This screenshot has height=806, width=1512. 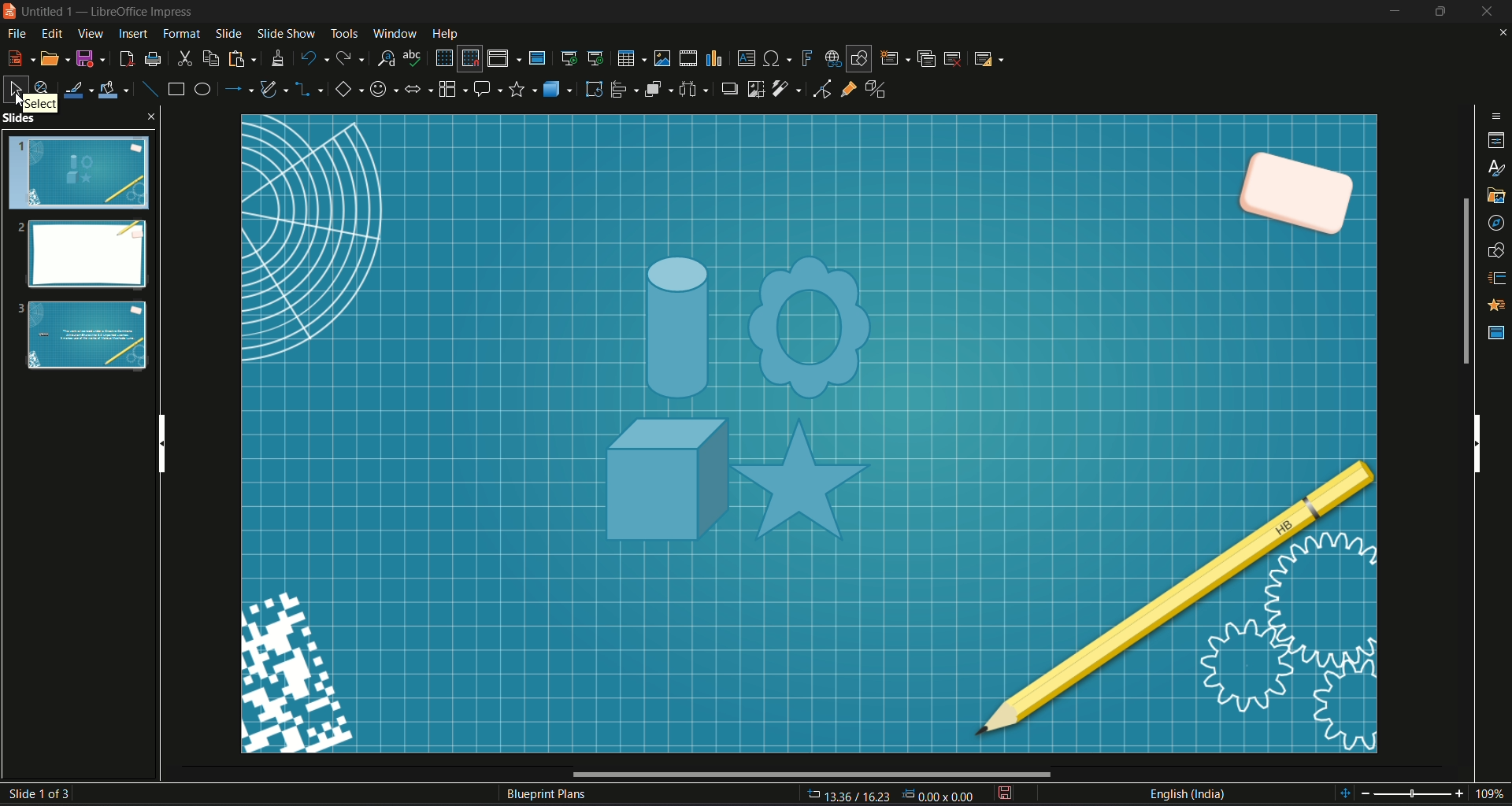 I want to click on Edit, so click(x=53, y=34).